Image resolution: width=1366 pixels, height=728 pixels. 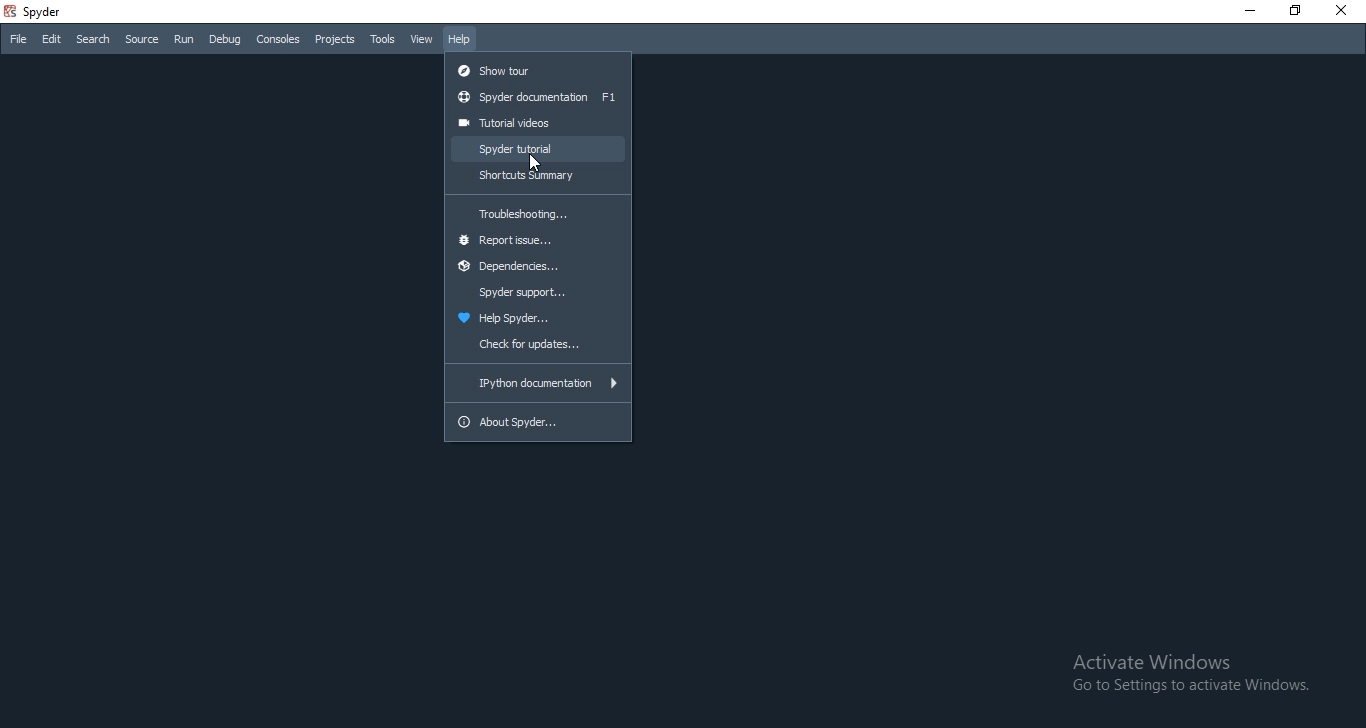 I want to click on about spyder, so click(x=541, y=422).